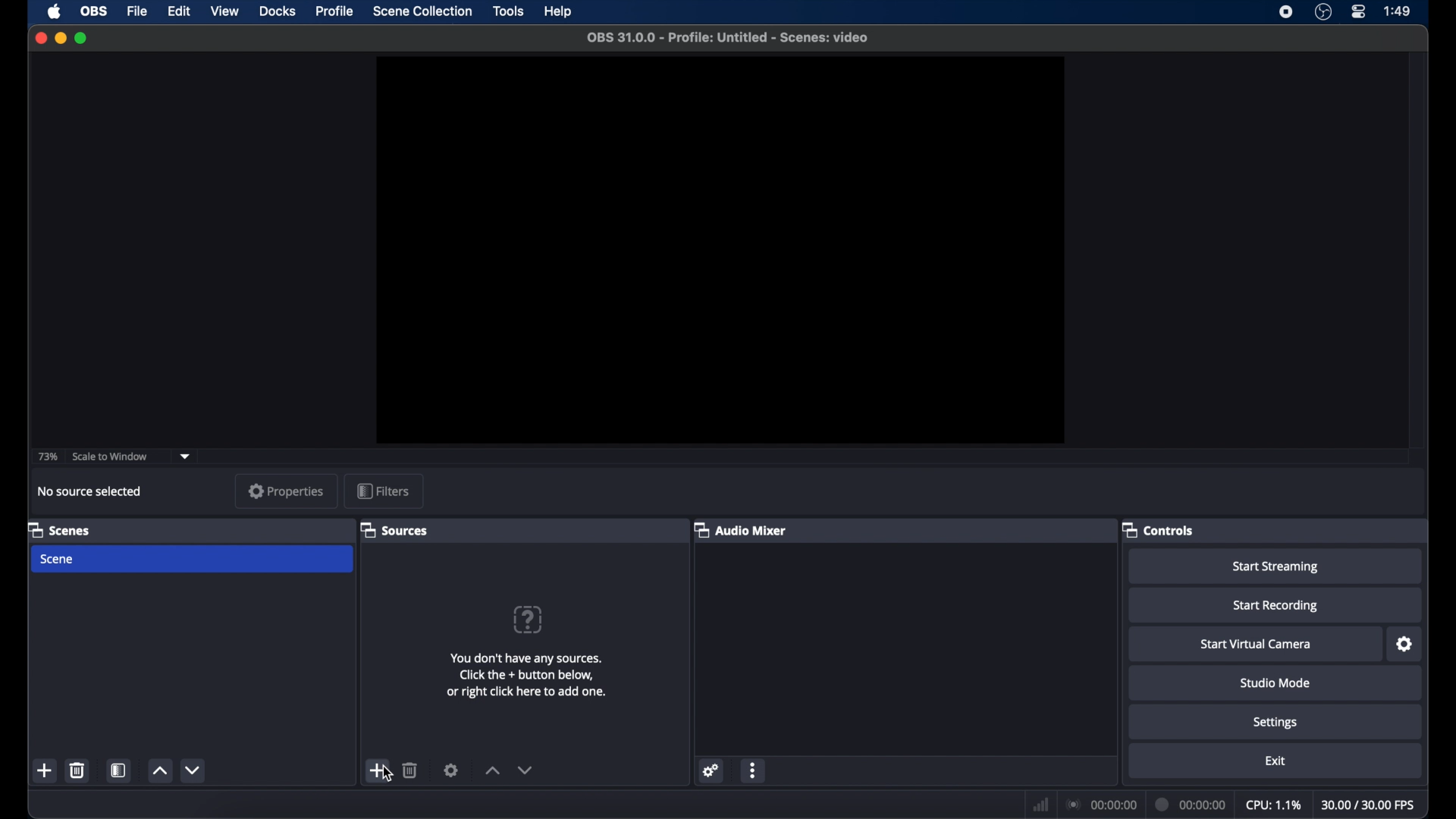 This screenshot has width=1456, height=819. Describe the element at coordinates (59, 560) in the screenshot. I see `scene` at that location.